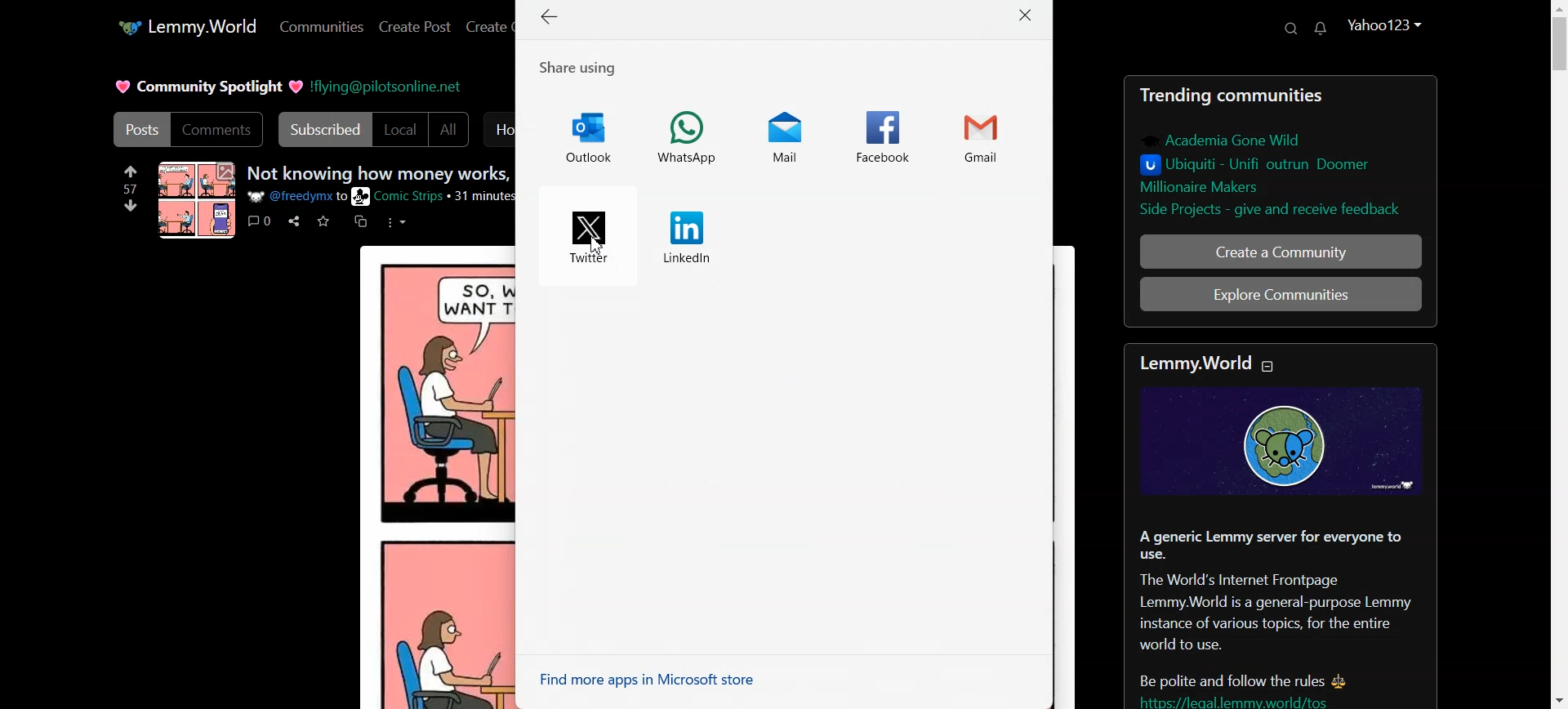  What do you see at coordinates (386, 85) in the screenshot?
I see `Hyperlink` at bounding box center [386, 85].